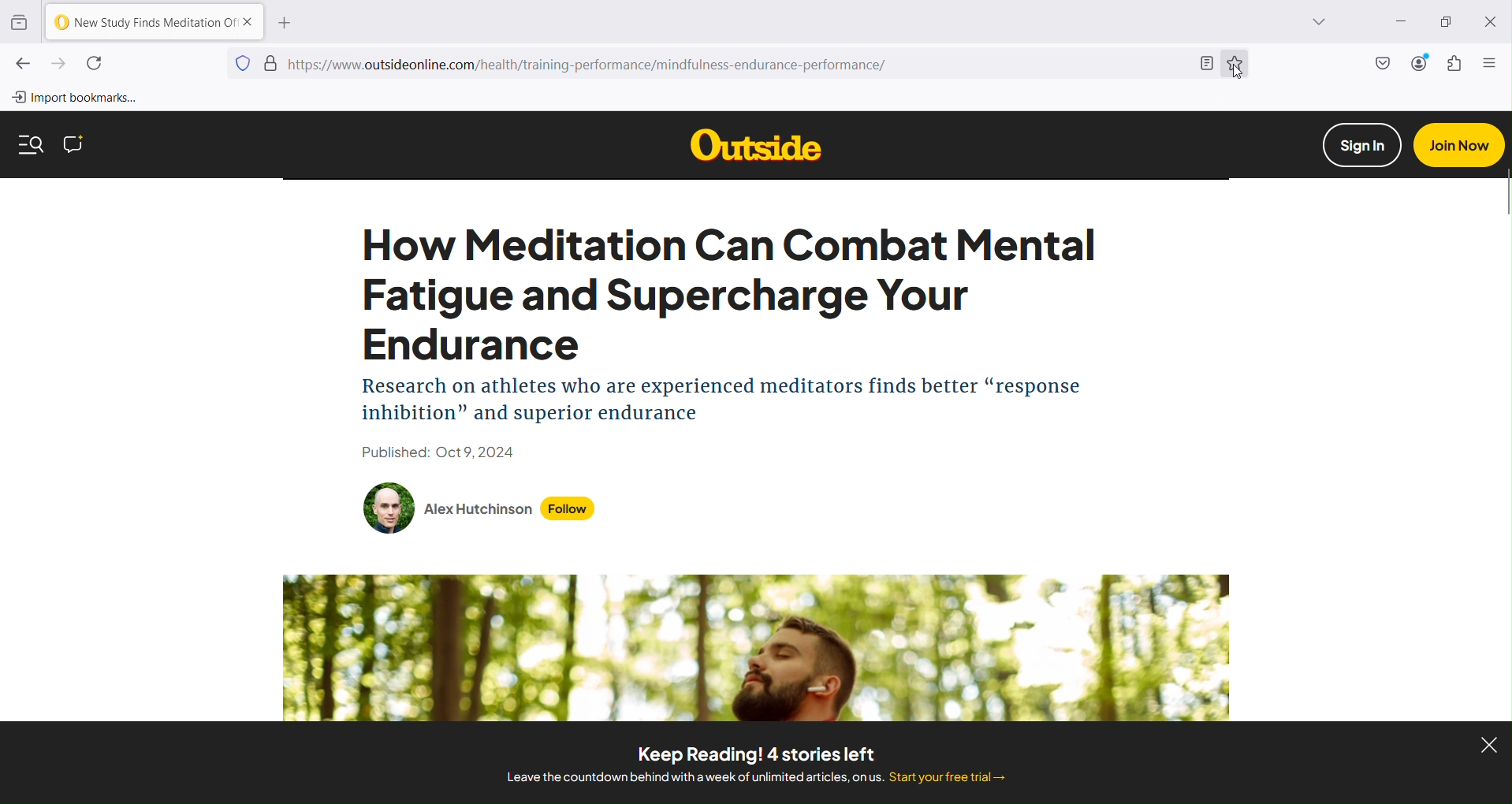 This screenshot has width=1512, height=804. Describe the element at coordinates (1205, 63) in the screenshot. I see `Toggle reader view` at that location.